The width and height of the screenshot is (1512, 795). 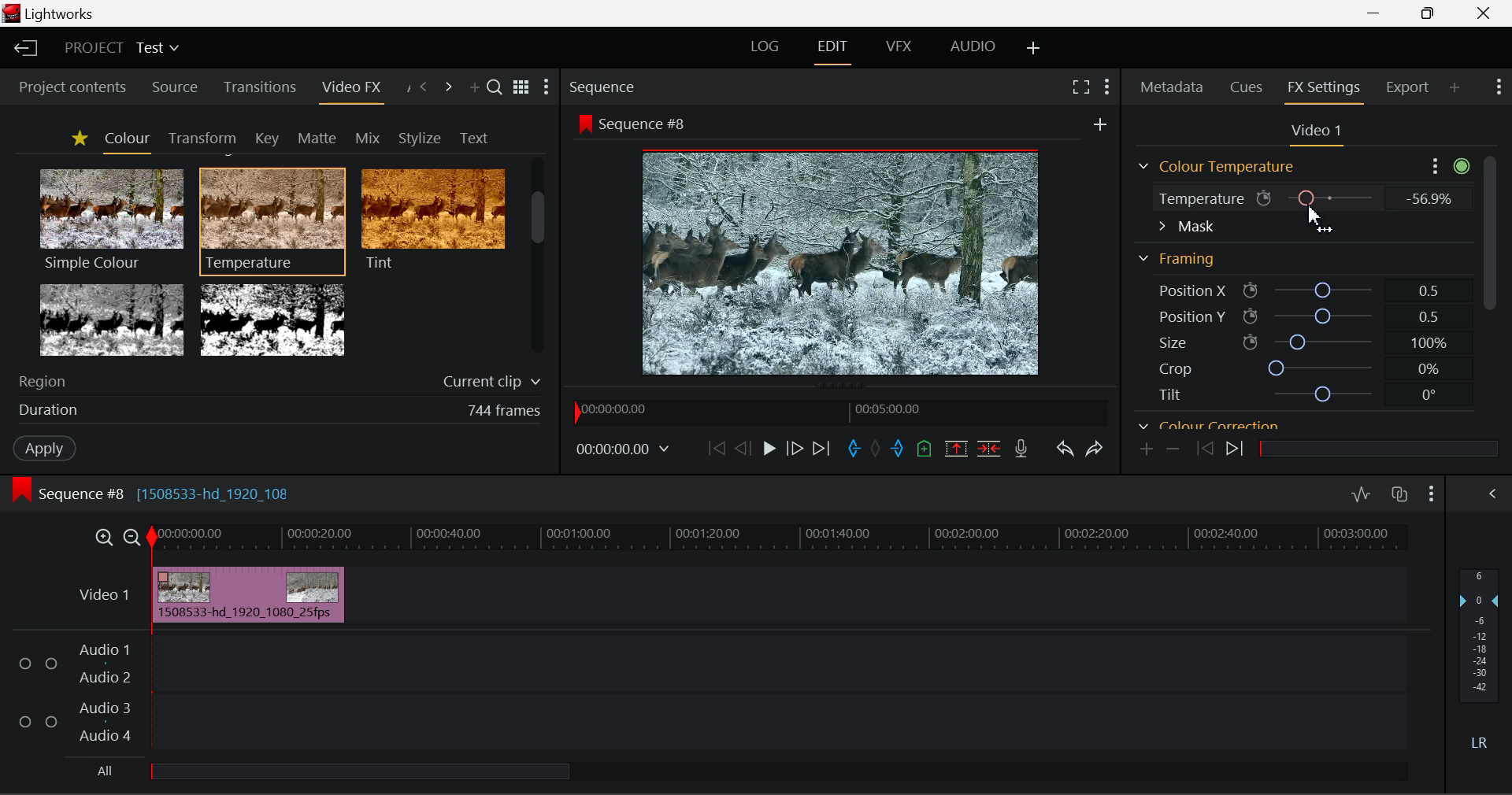 I want to click on Colour correction, so click(x=1209, y=423).